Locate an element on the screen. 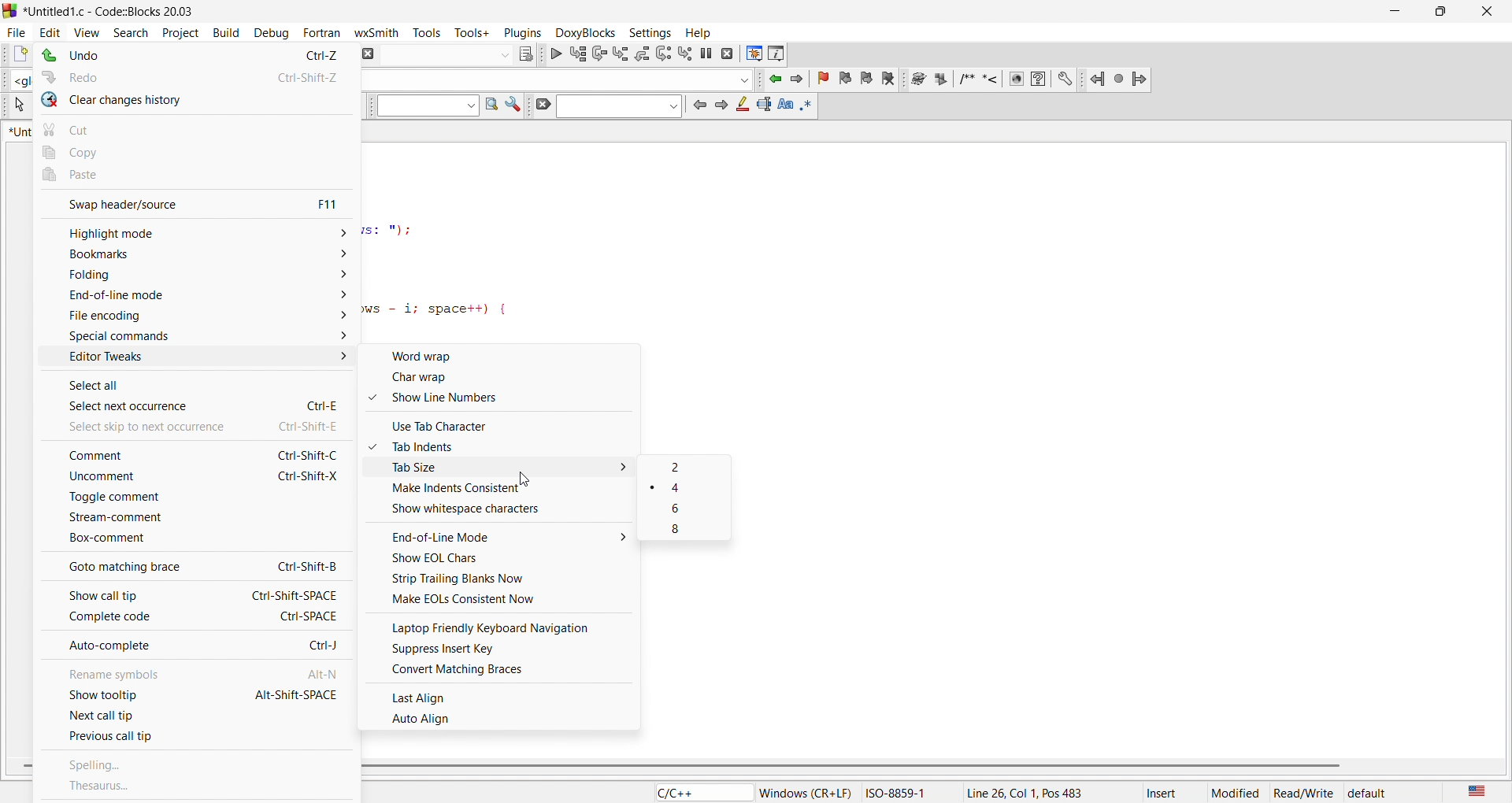 This screenshot has height=803, width=1512. close is located at coordinates (1489, 9).